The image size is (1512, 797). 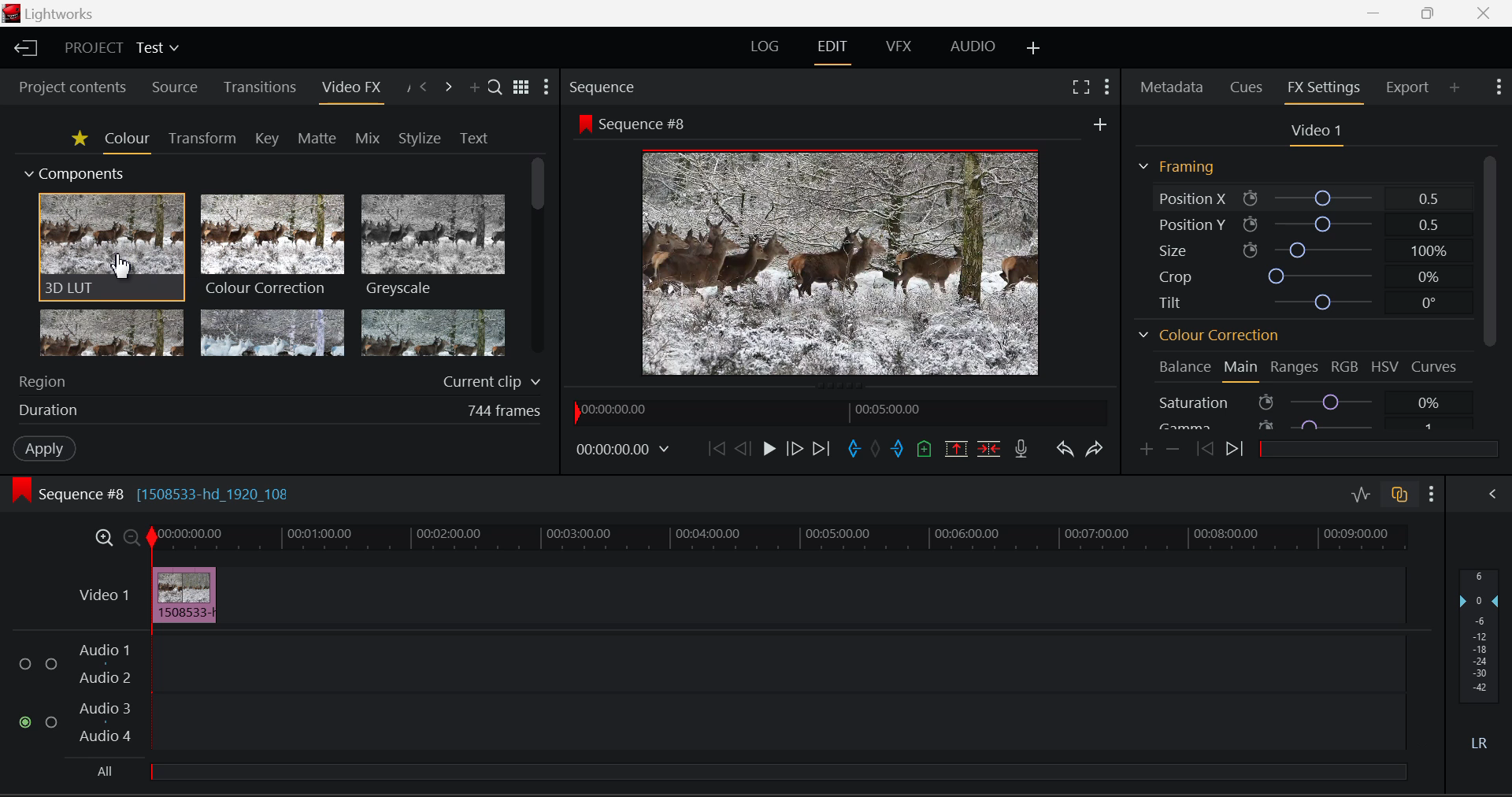 I want to click on Remove Marked Section, so click(x=954, y=448).